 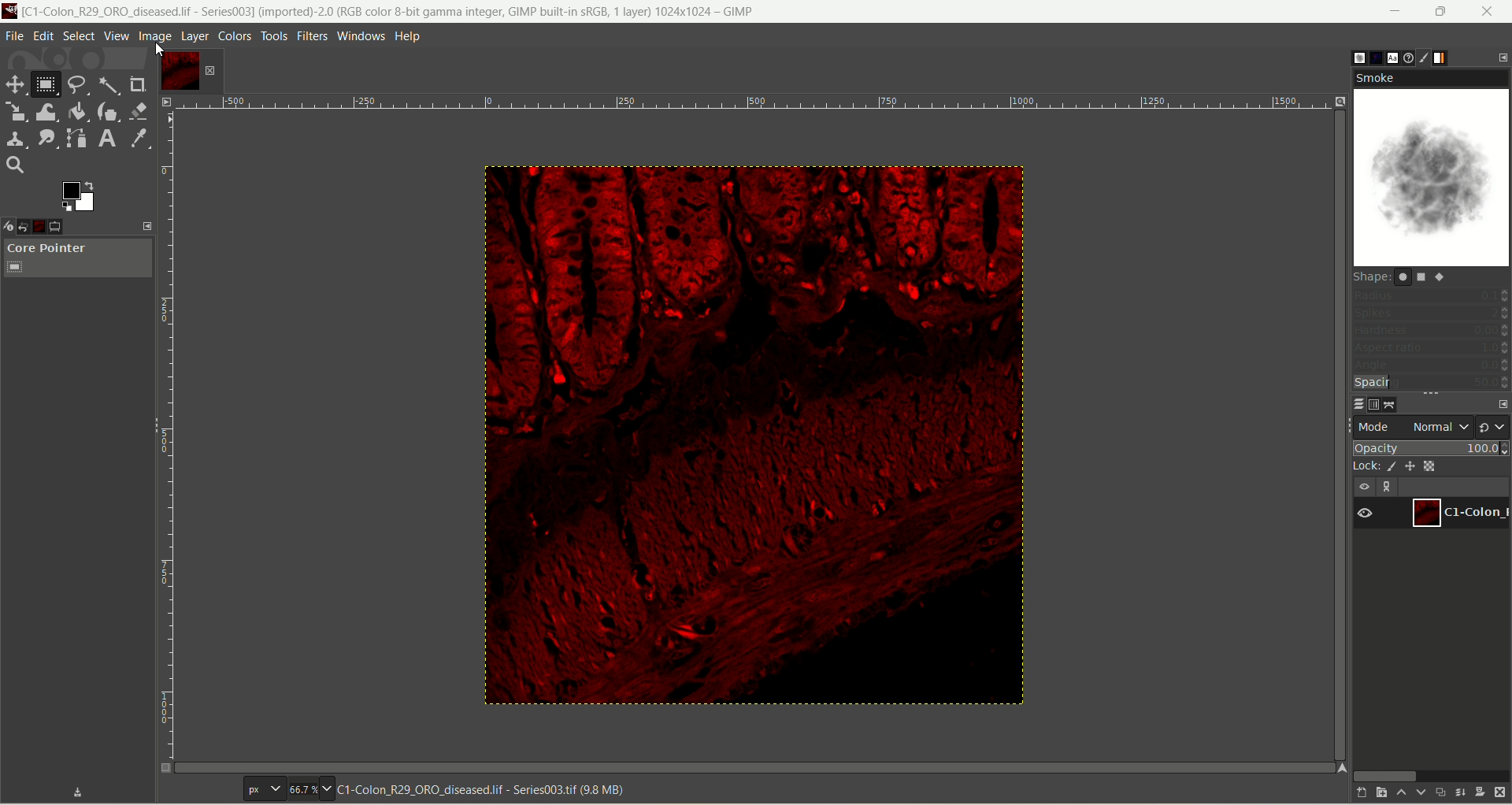 I want to click on create a new layer with last used values, so click(x=1362, y=794).